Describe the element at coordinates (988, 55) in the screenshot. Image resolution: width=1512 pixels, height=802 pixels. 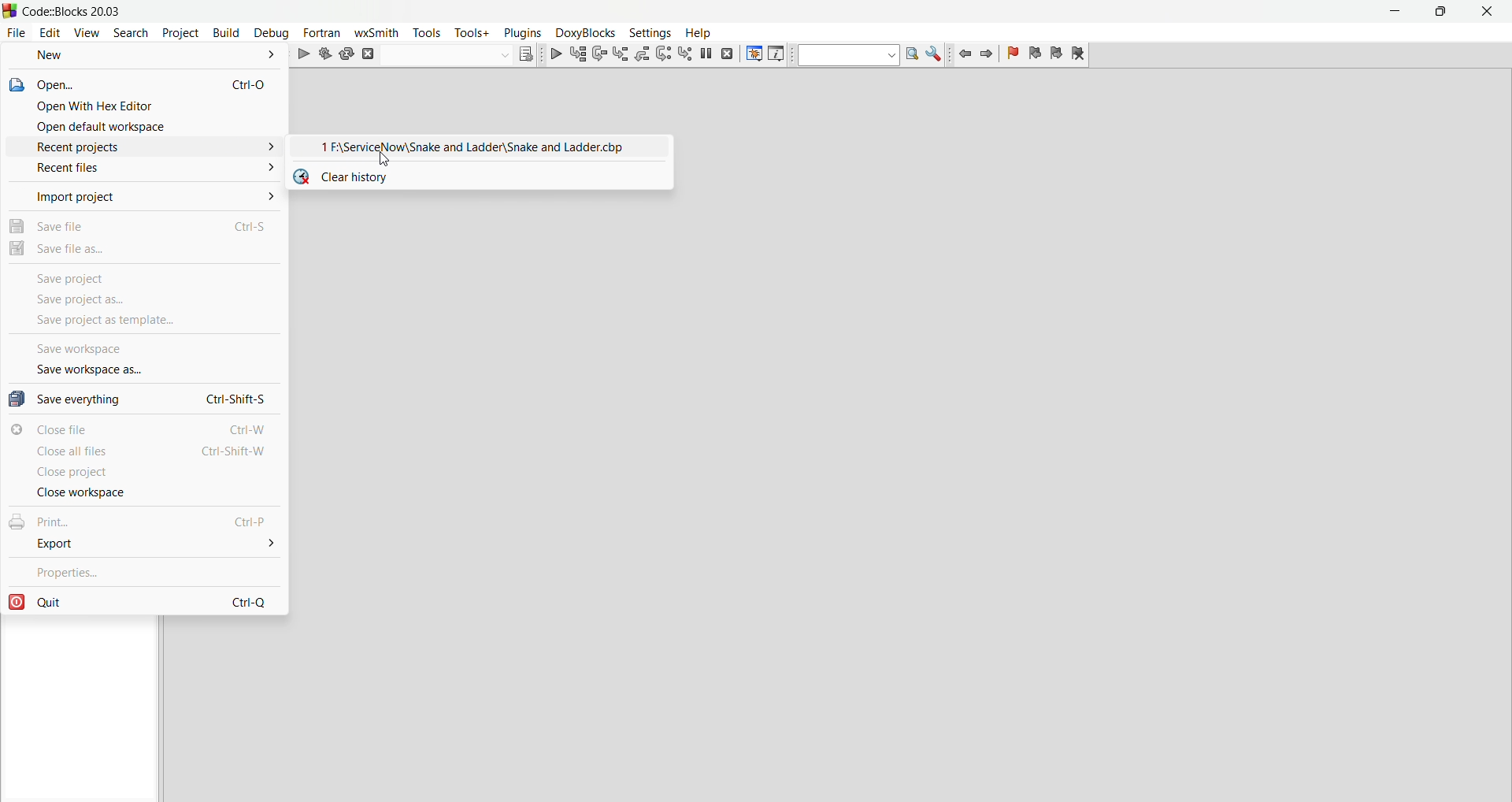
I see `jump forward` at that location.